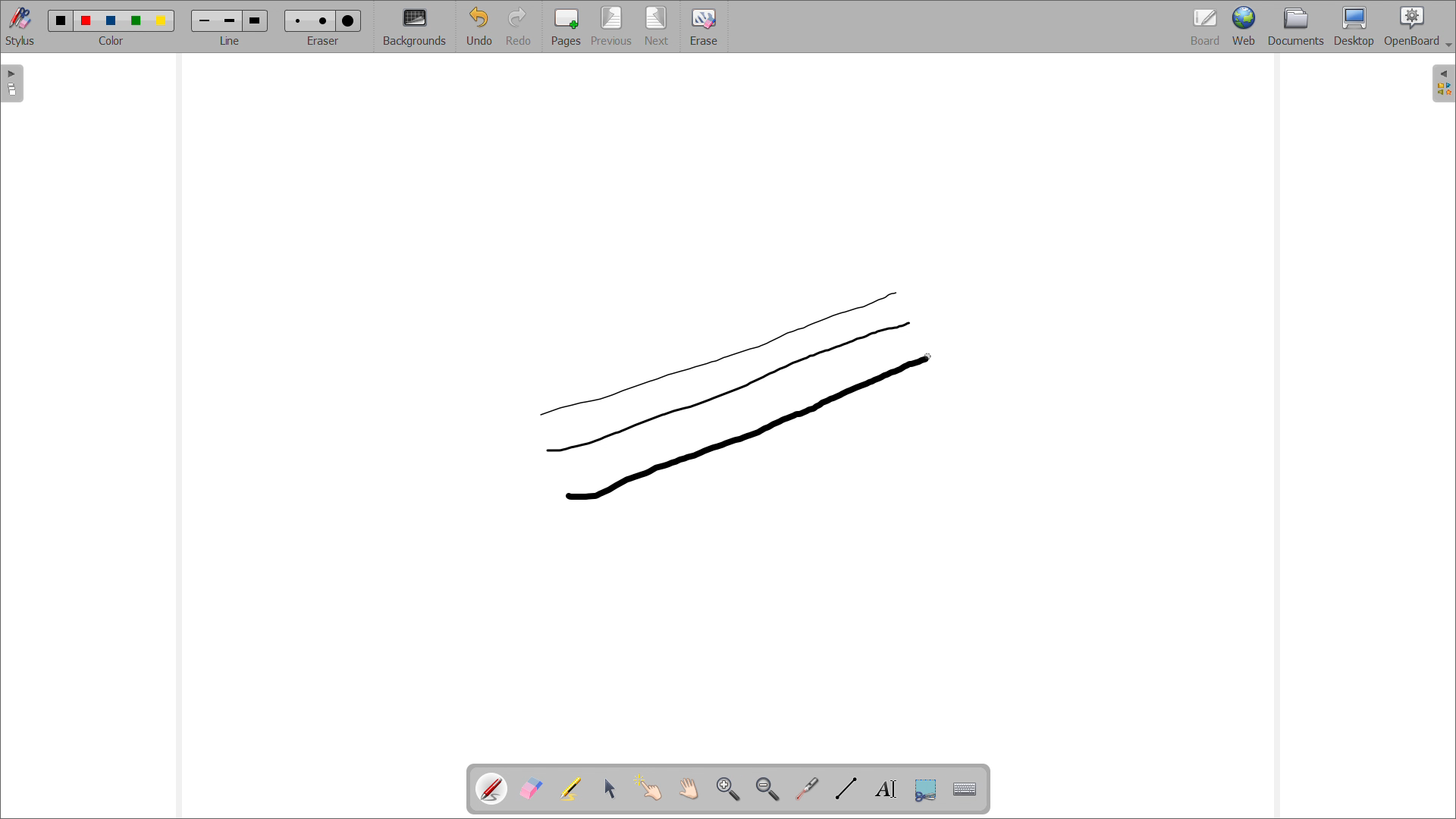  What do you see at coordinates (230, 42) in the screenshot?
I see `select line width` at bounding box center [230, 42].